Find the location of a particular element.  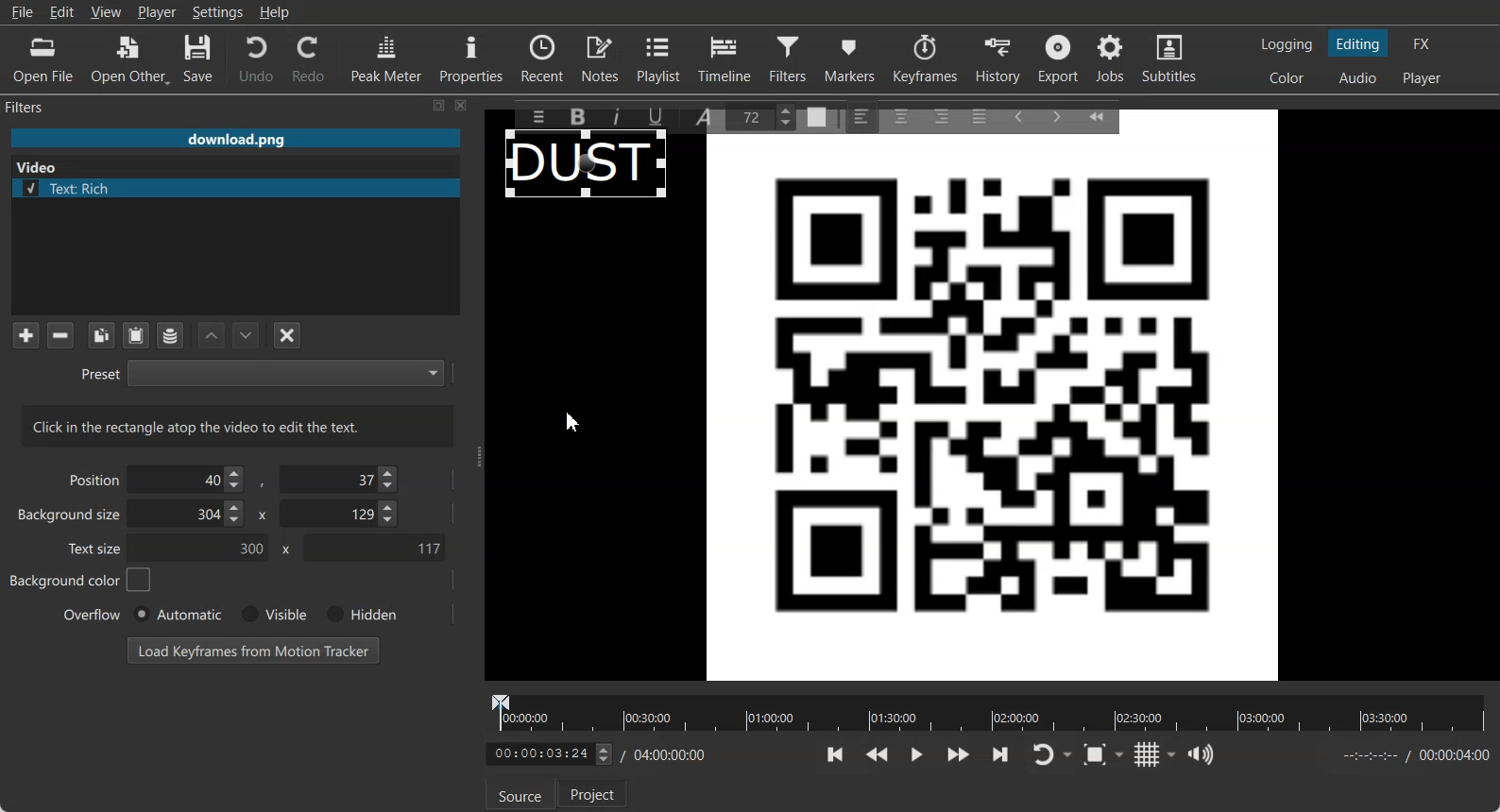

Undo is located at coordinates (256, 58).